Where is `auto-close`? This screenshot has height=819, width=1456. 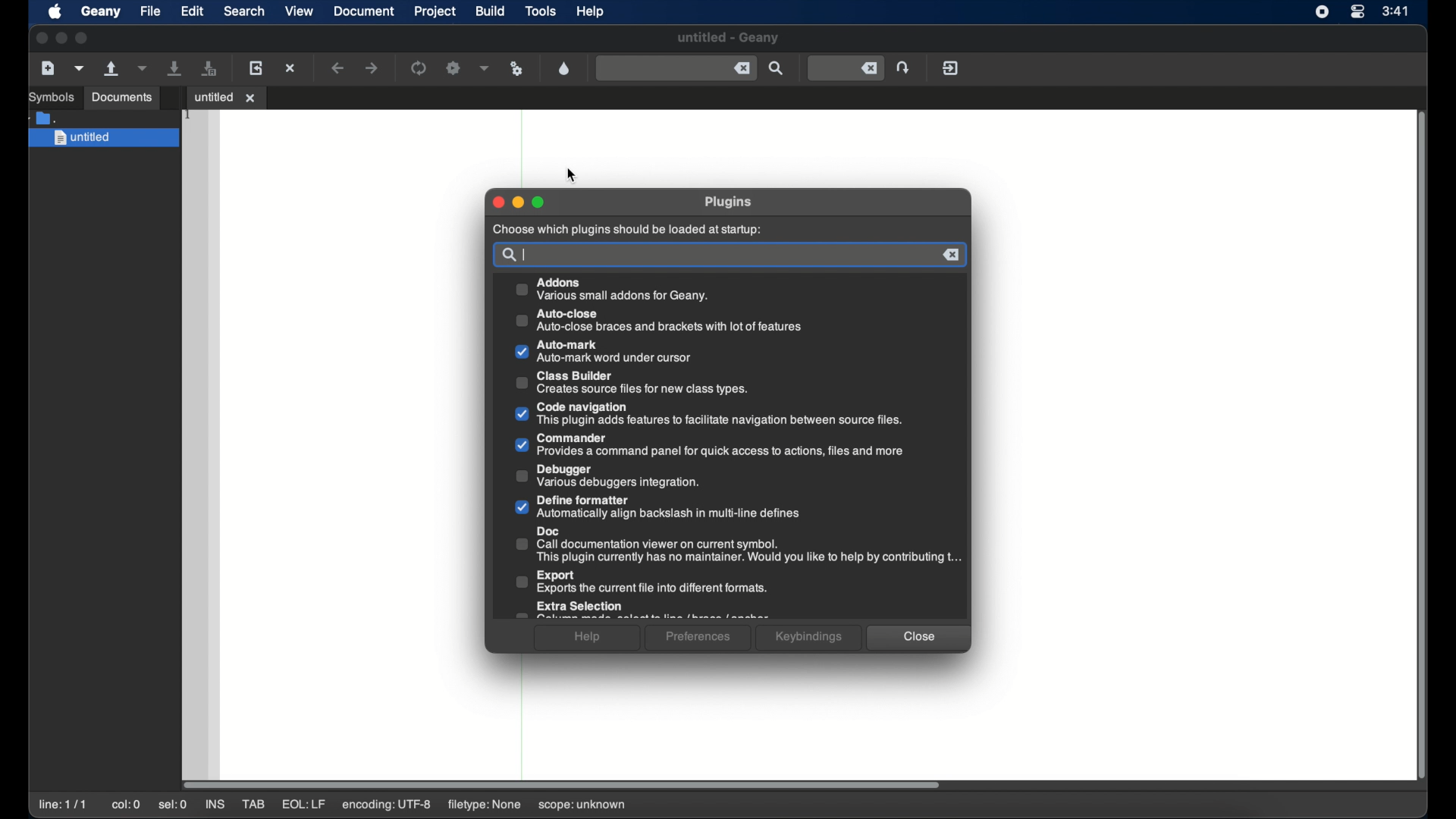
auto-close is located at coordinates (659, 320).